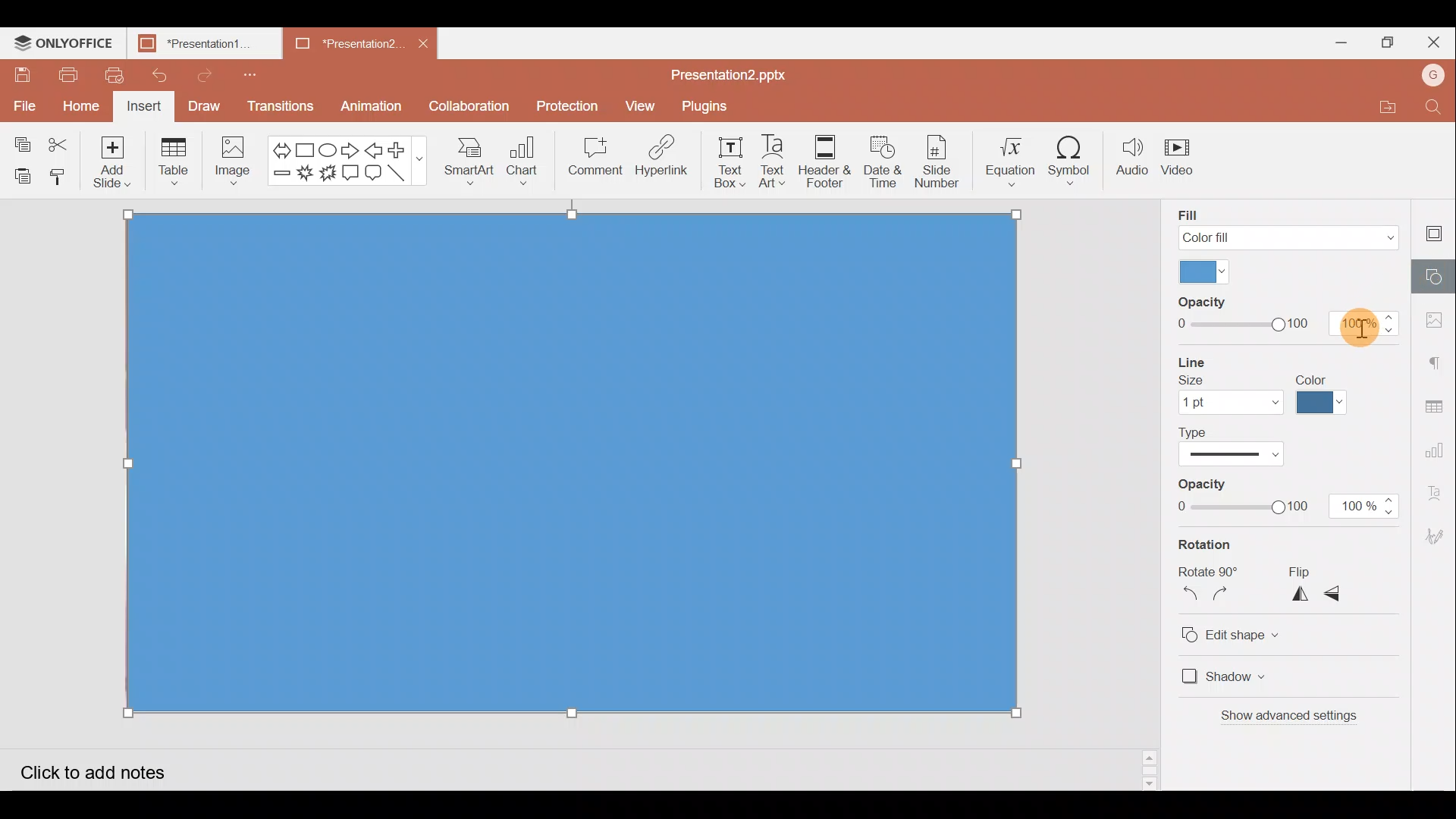 The height and width of the screenshot is (819, 1456). Describe the element at coordinates (942, 160) in the screenshot. I see `Slide number` at that location.